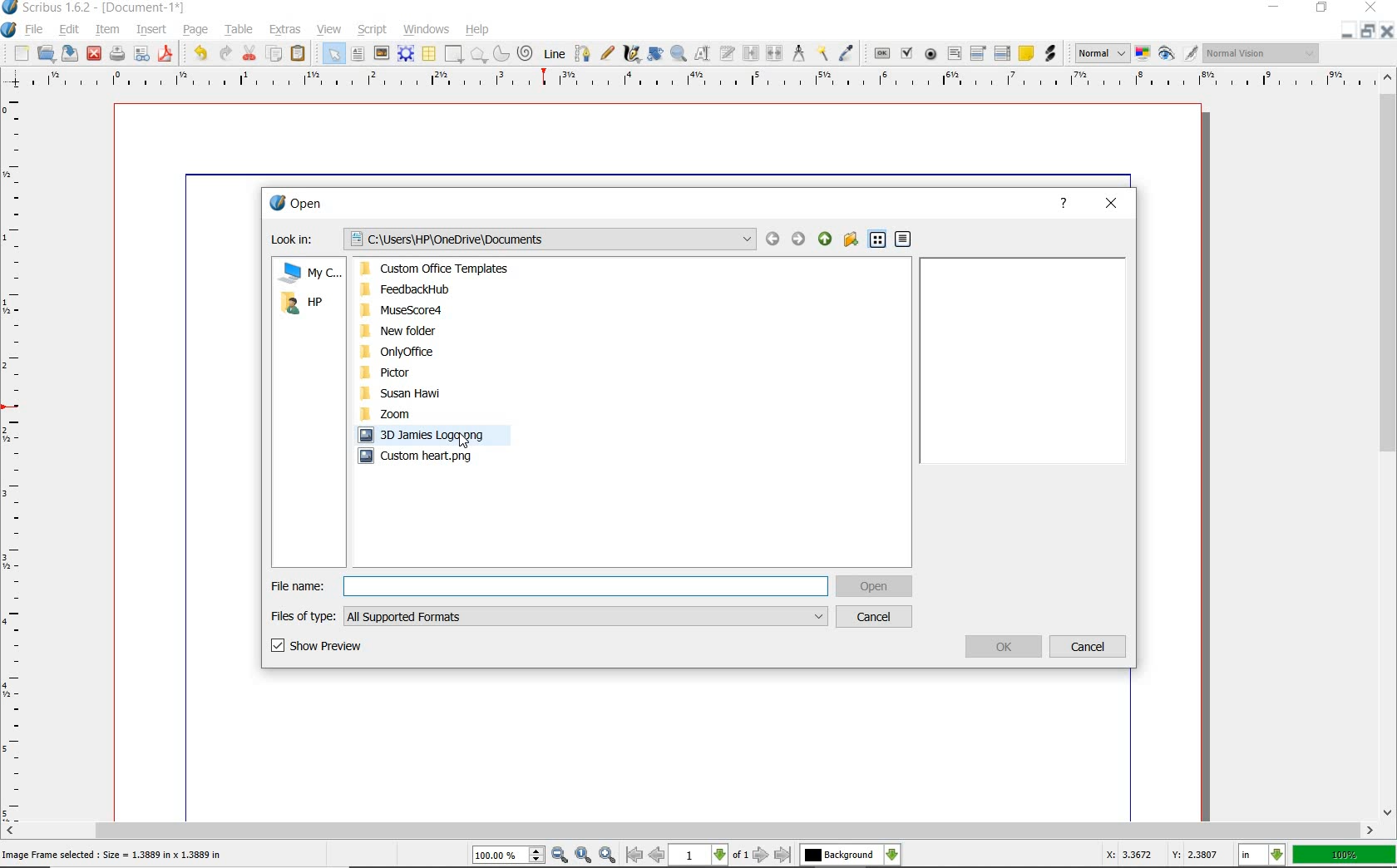 This screenshot has width=1397, height=868. Describe the element at coordinates (455, 52) in the screenshot. I see `shape` at that location.